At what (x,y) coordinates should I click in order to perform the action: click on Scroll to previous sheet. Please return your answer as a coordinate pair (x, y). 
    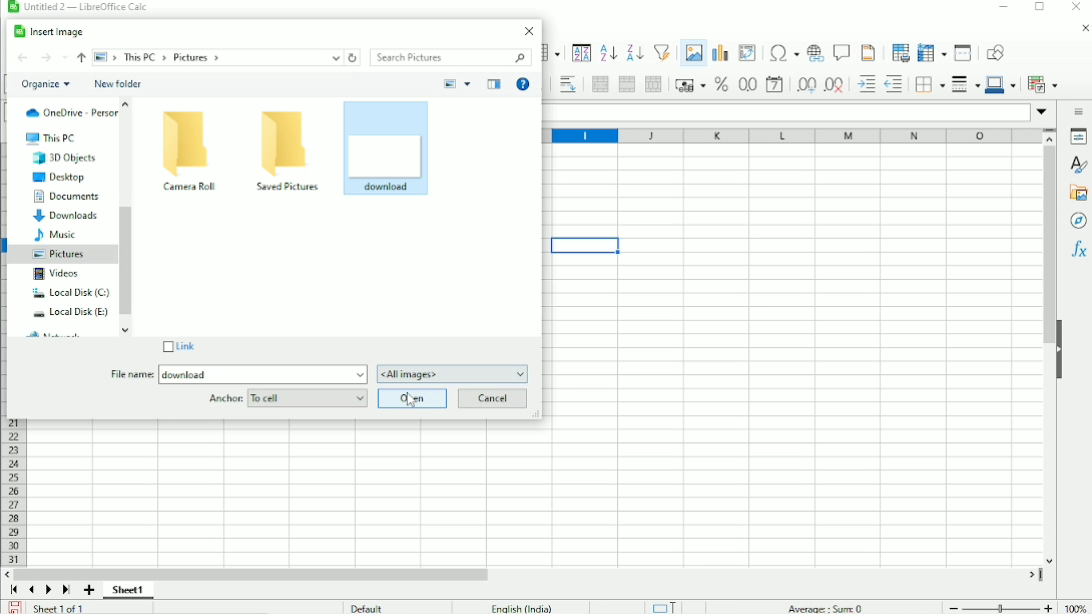
    Looking at the image, I should click on (31, 590).